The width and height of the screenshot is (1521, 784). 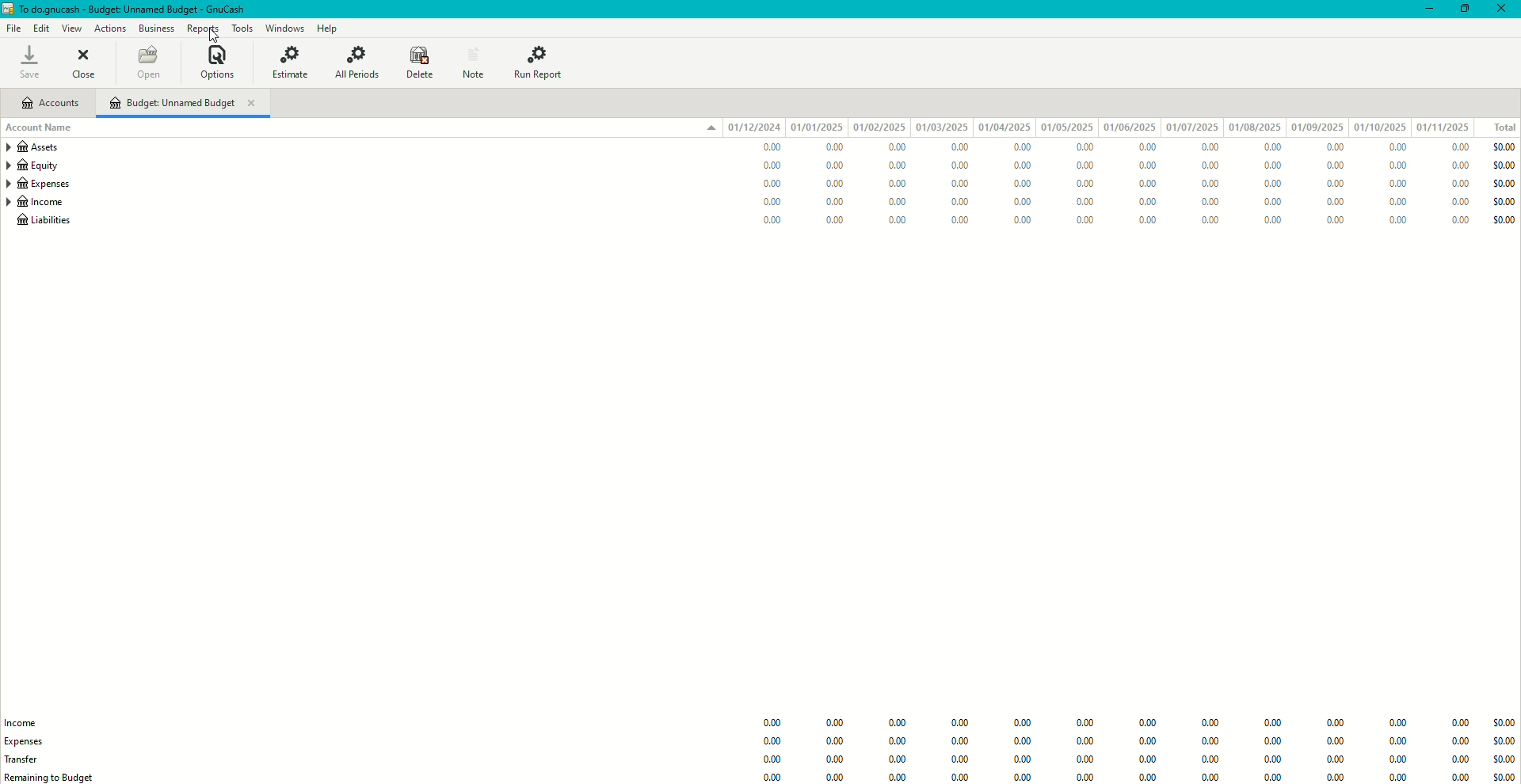 I want to click on Account Name, so click(x=44, y=129).